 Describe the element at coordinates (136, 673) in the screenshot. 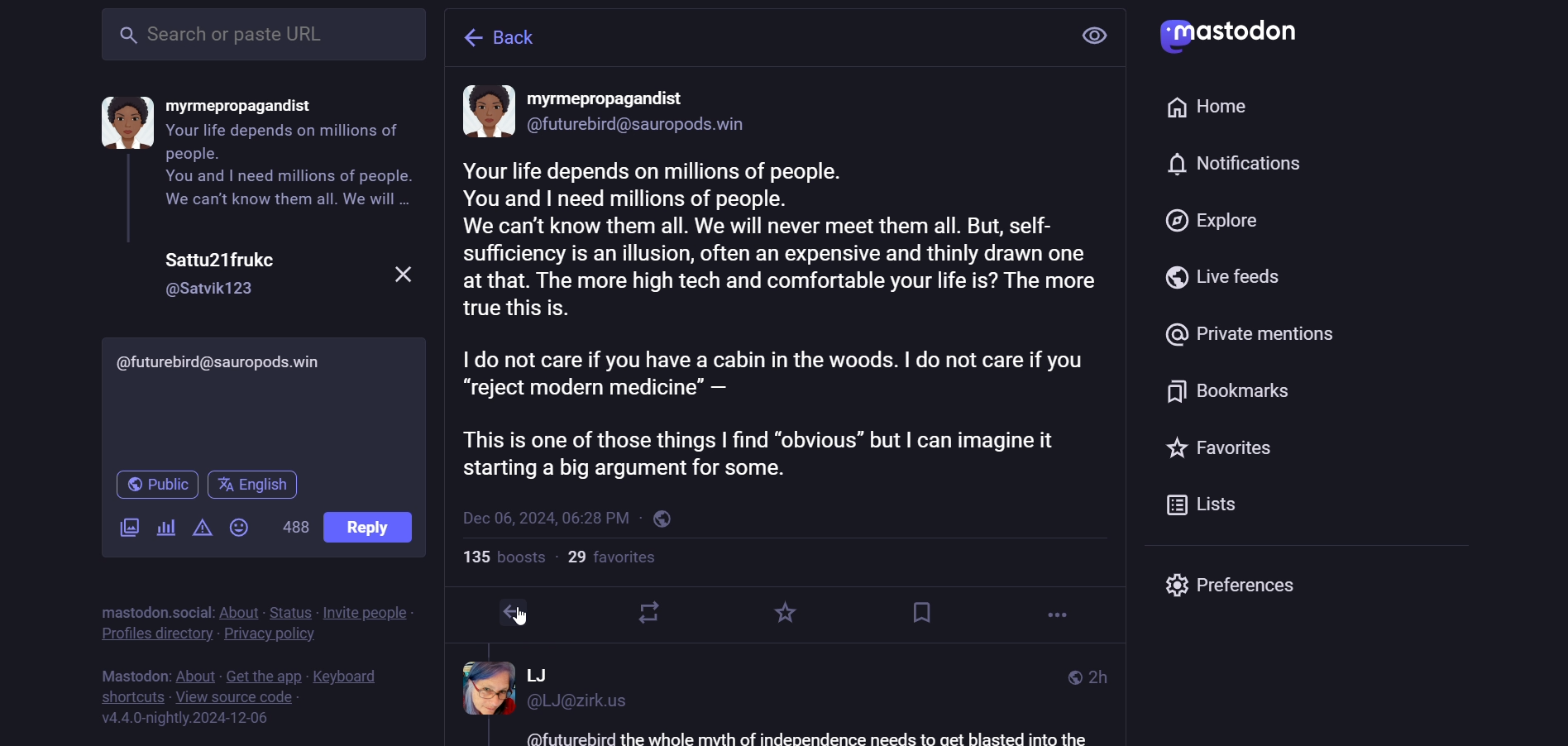

I see `mastodon` at that location.